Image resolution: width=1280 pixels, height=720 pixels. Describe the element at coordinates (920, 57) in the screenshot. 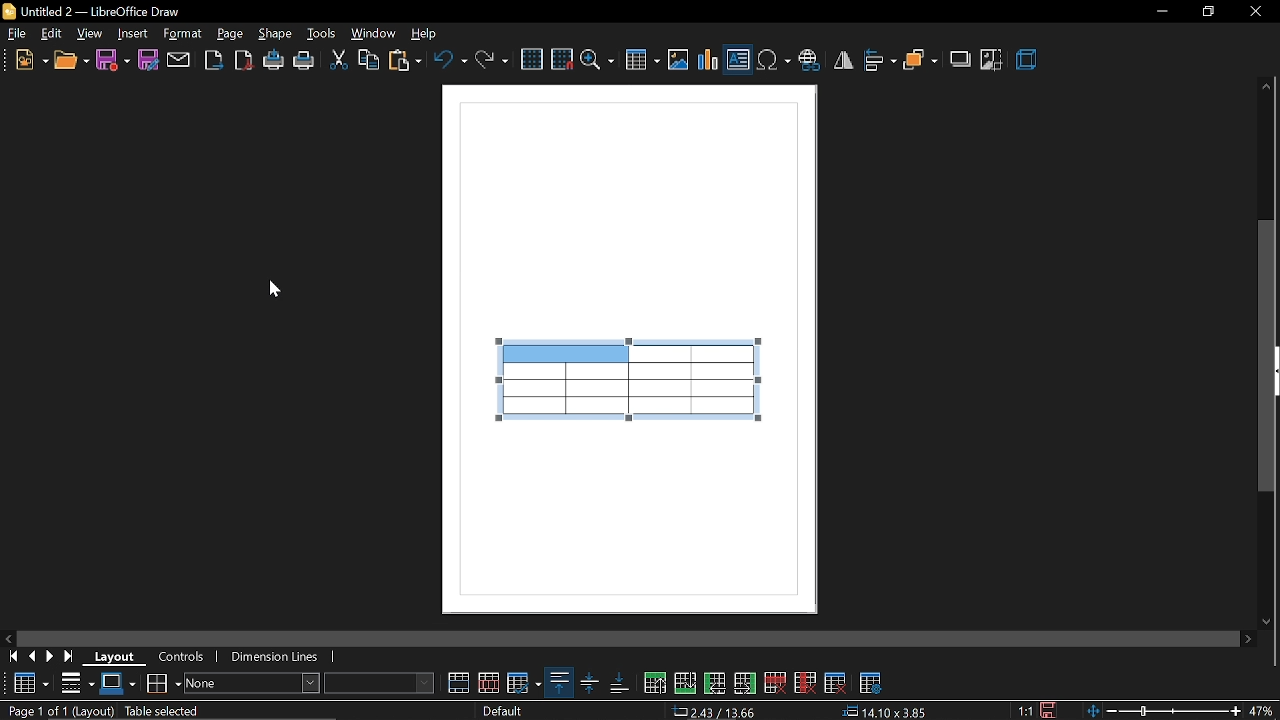

I see `arrange` at that location.